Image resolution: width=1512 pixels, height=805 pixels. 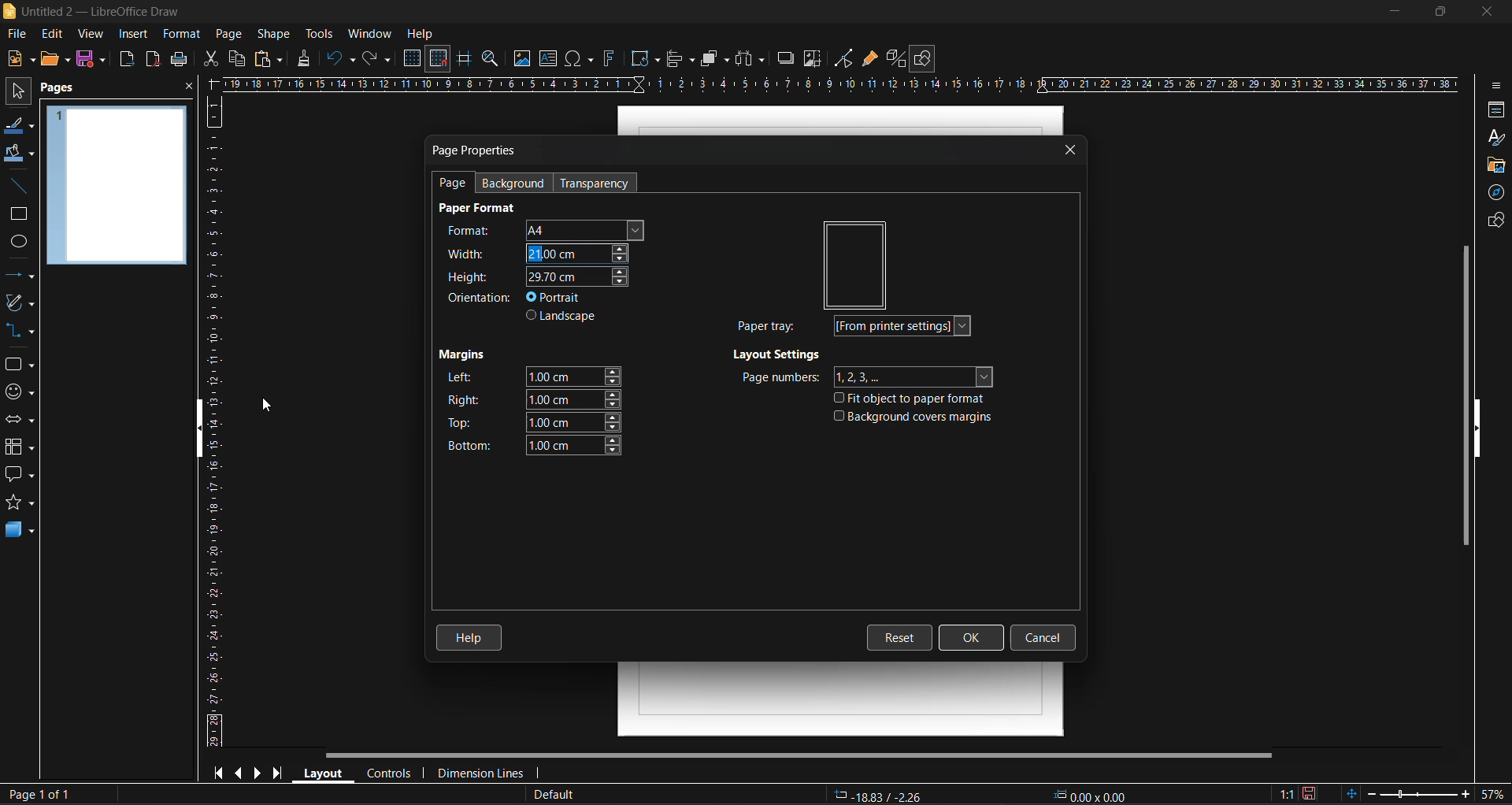 What do you see at coordinates (1411, 796) in the screenshot?
I see `zoom slider` at bounding box center [1411, 796].